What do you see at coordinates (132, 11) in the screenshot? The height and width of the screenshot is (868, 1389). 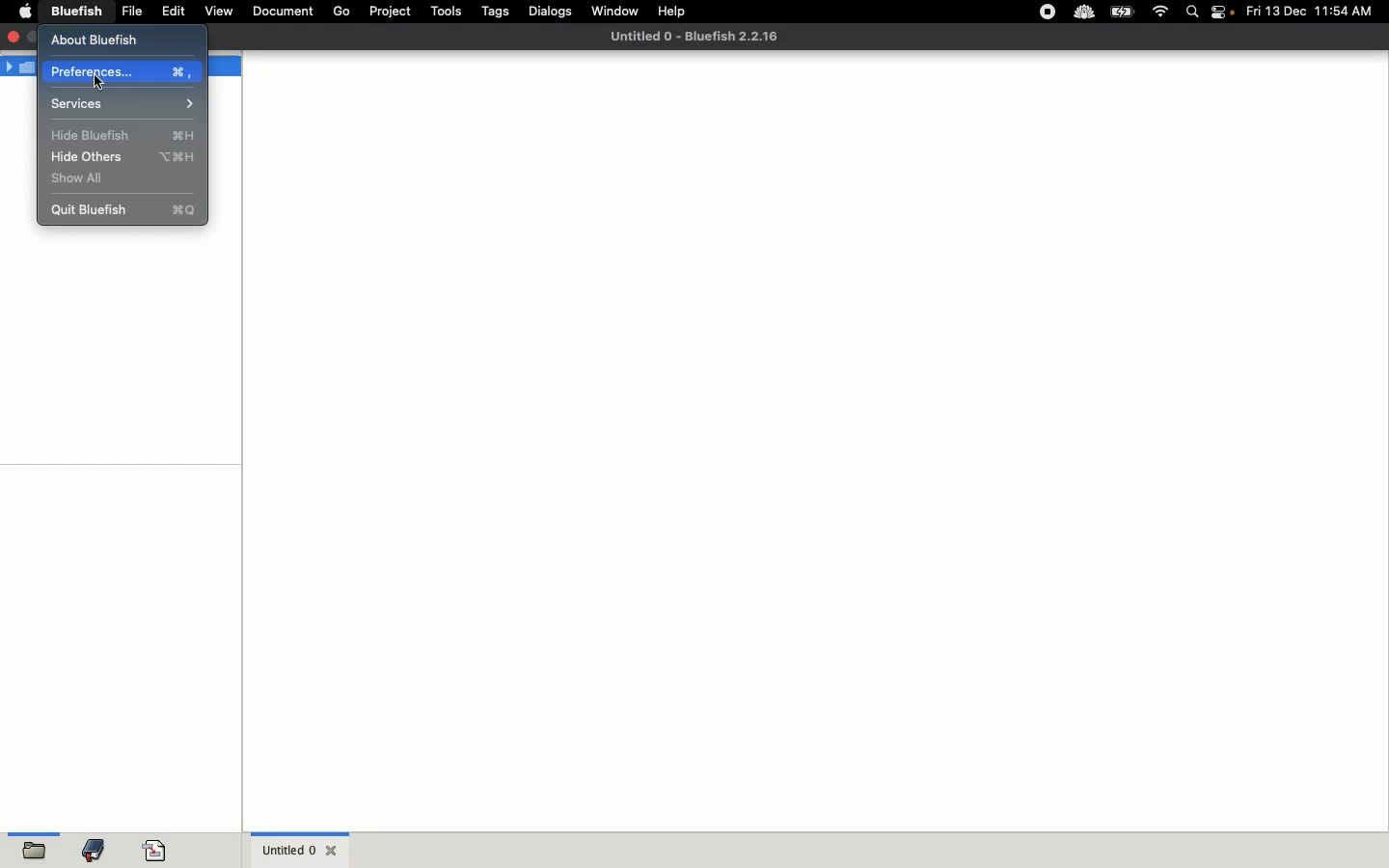 I see `File` at bounding box center [132, 11].